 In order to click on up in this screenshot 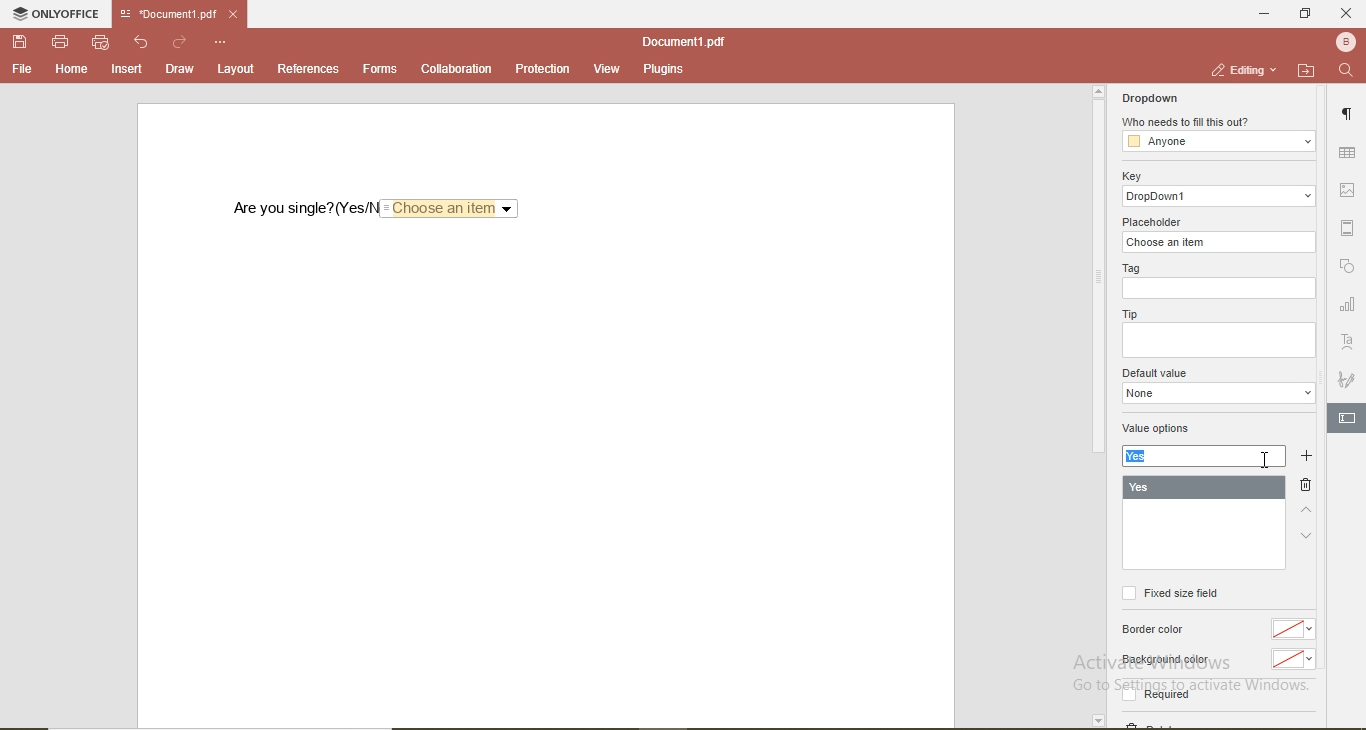, I will do `click(1310, 510)`.